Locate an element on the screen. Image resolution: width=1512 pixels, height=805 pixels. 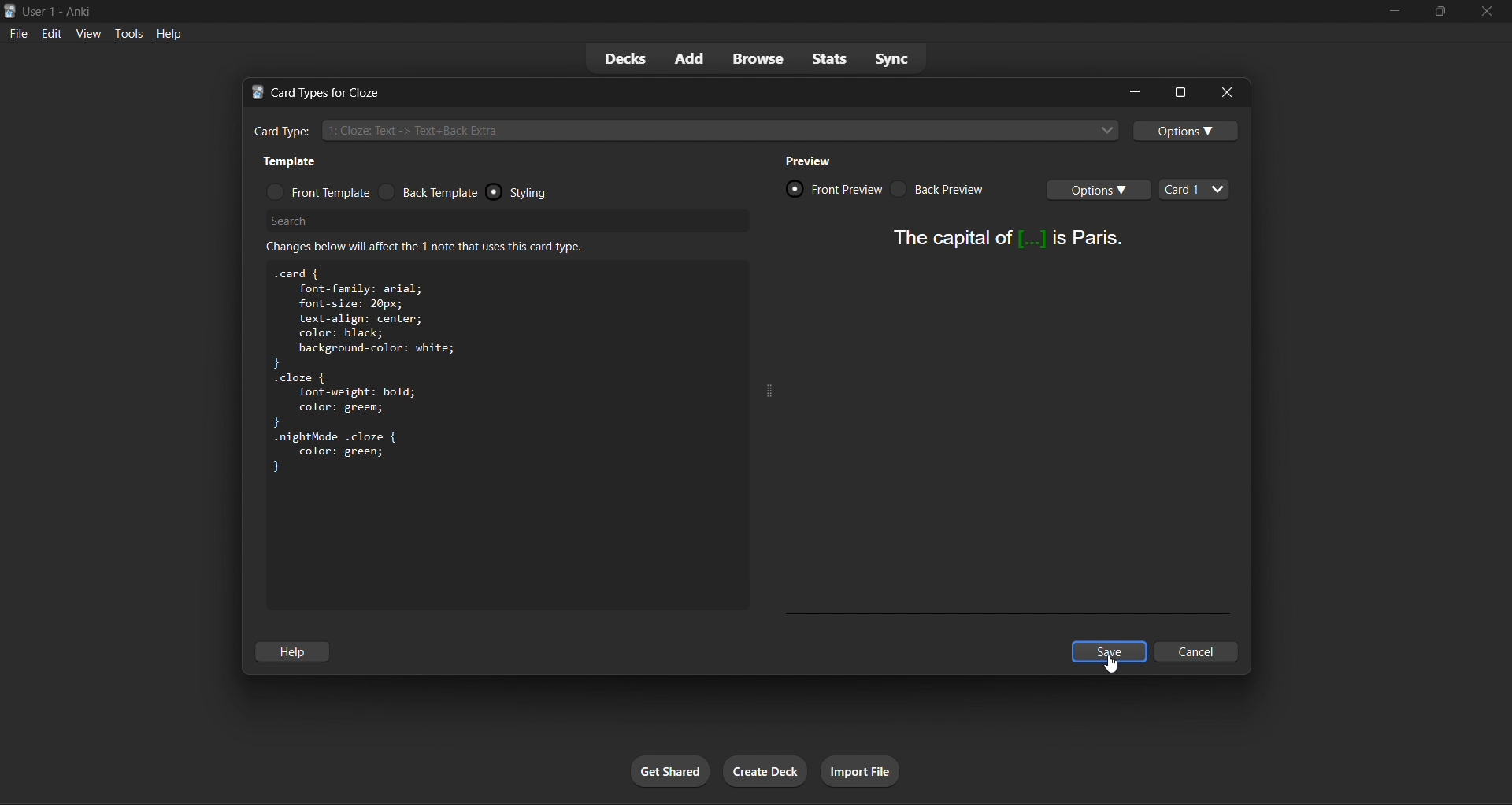
card back preview is located at coordinates (942, 190).